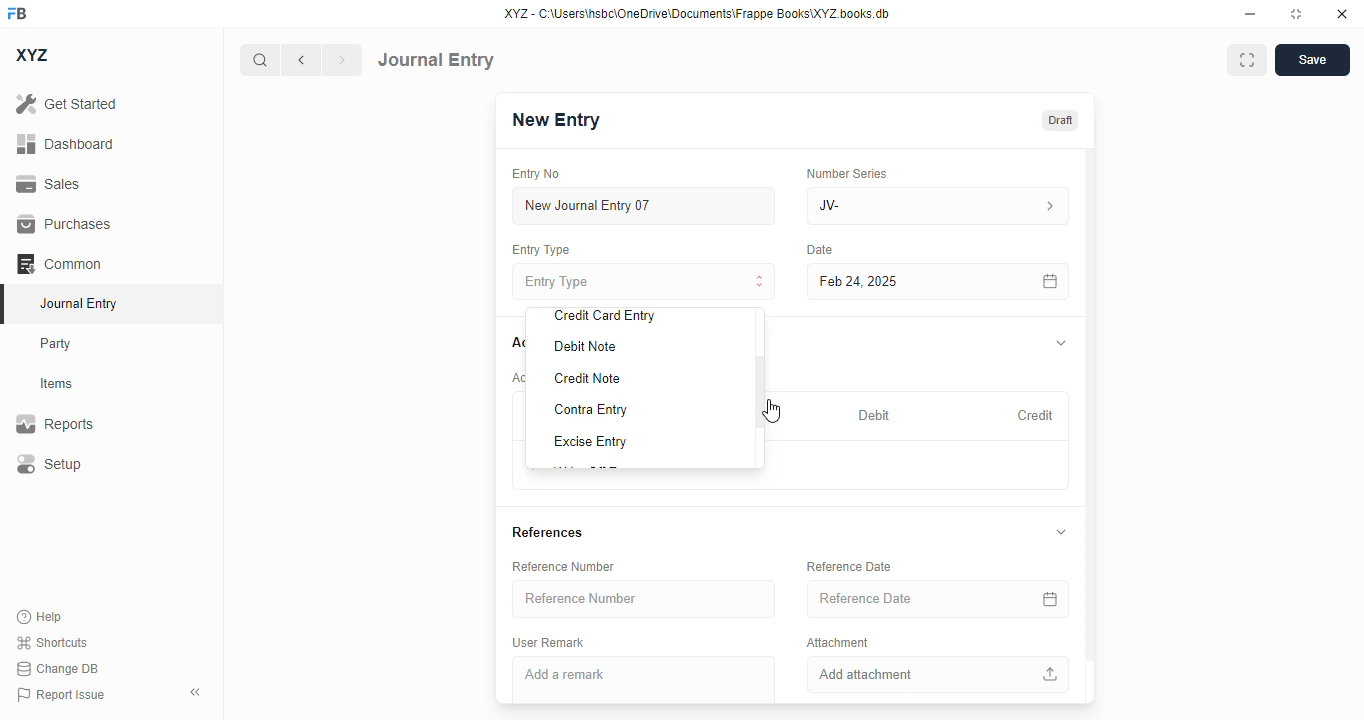  What do you see at coordinates (48, 184) in the screenshot?
I see `sales` at bounding box center [48, 184].